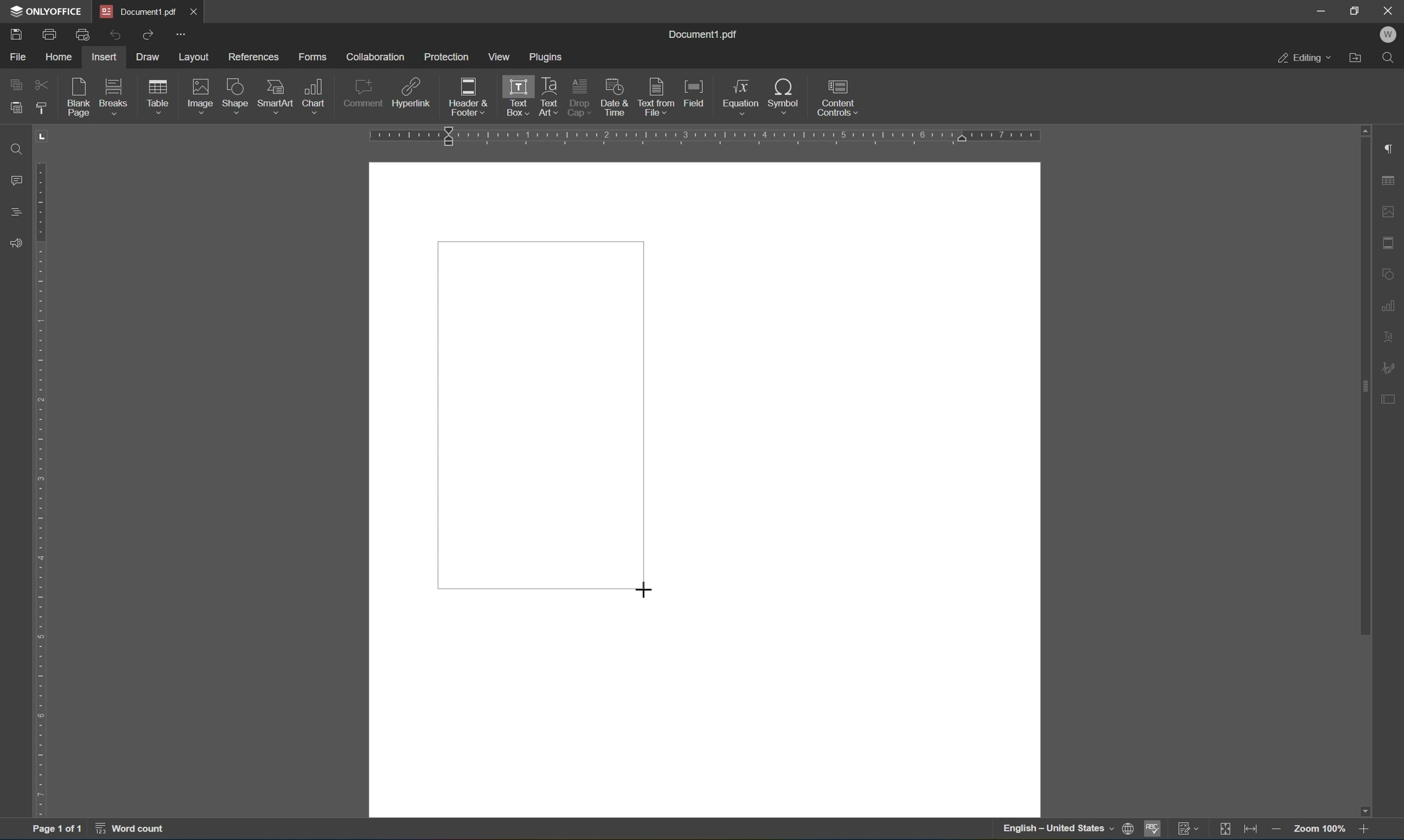  What do you see at coordinates (16, 84) in the screenshot?
I see `copy` at bounding box center [16, 84].